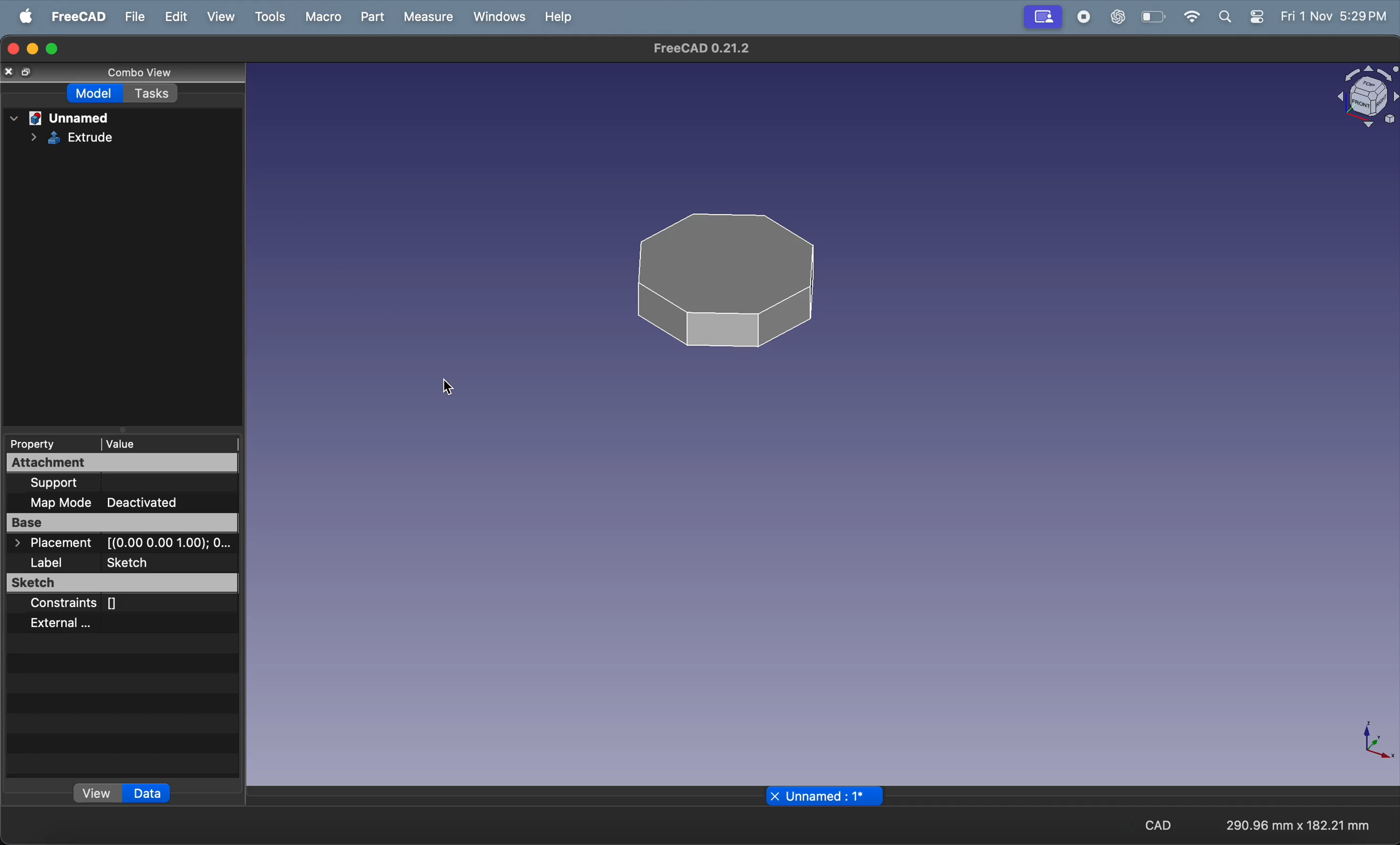 The width and height of the screenshot is (1400, 845). Describe the element at coordinates (429, 16) in the screenshot. I see `measure` at that location.